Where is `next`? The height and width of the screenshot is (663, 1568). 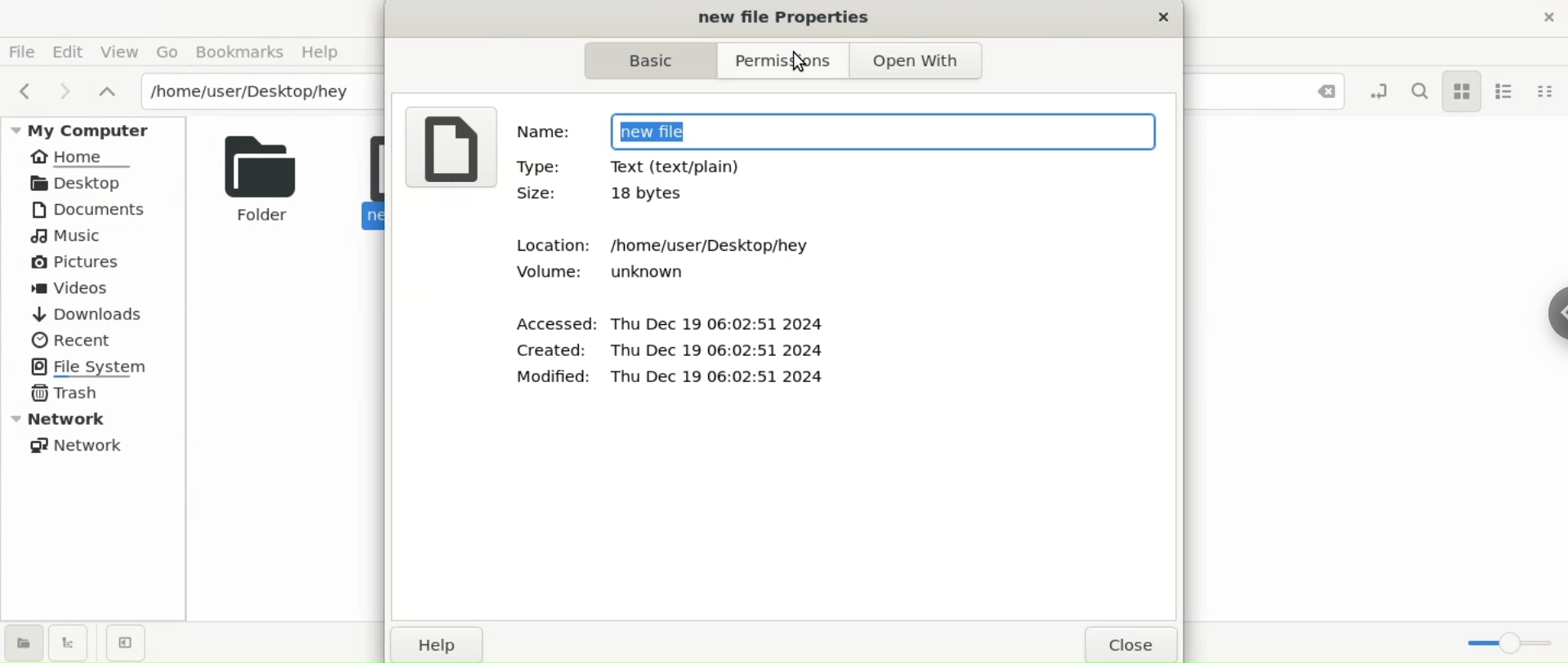
next is located at coordinates (62, 90).